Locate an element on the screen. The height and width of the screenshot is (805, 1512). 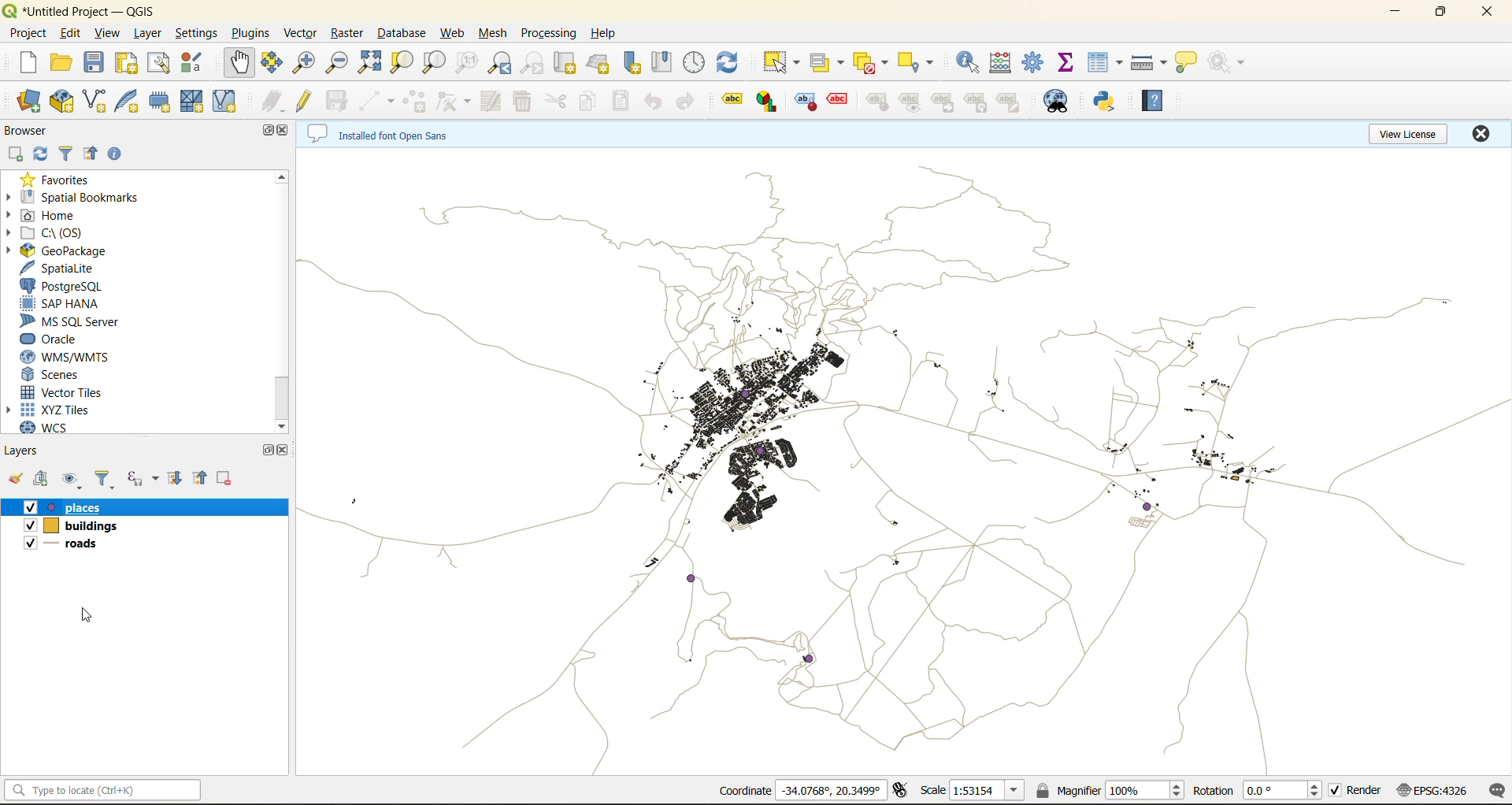
scenes is located at coordinates (52, 375).